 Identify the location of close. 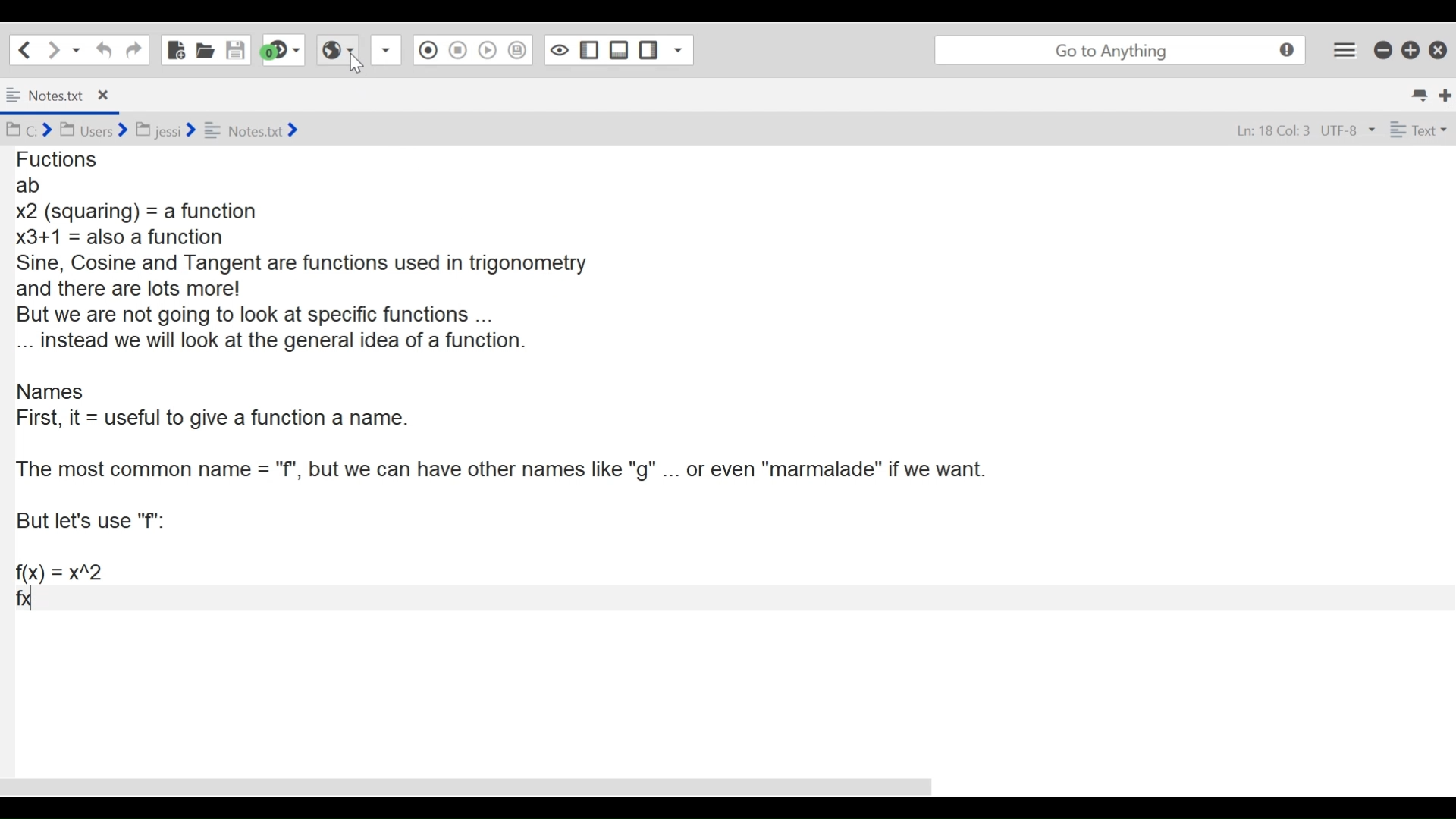
(108, 95).